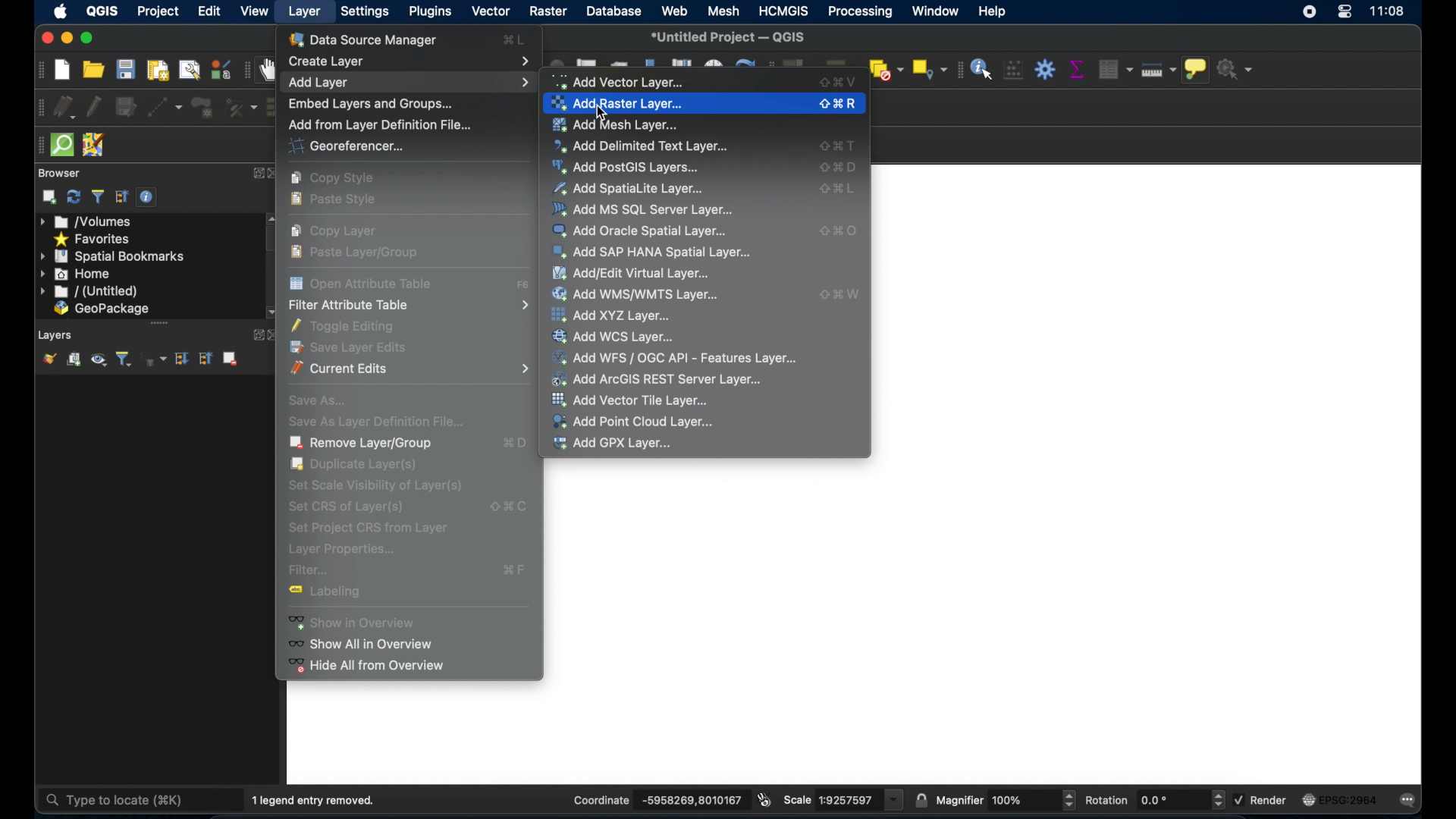 Image resolution: width=1456 pixels, height=819 pixels. I want to click on paste style, so click(338, 201).